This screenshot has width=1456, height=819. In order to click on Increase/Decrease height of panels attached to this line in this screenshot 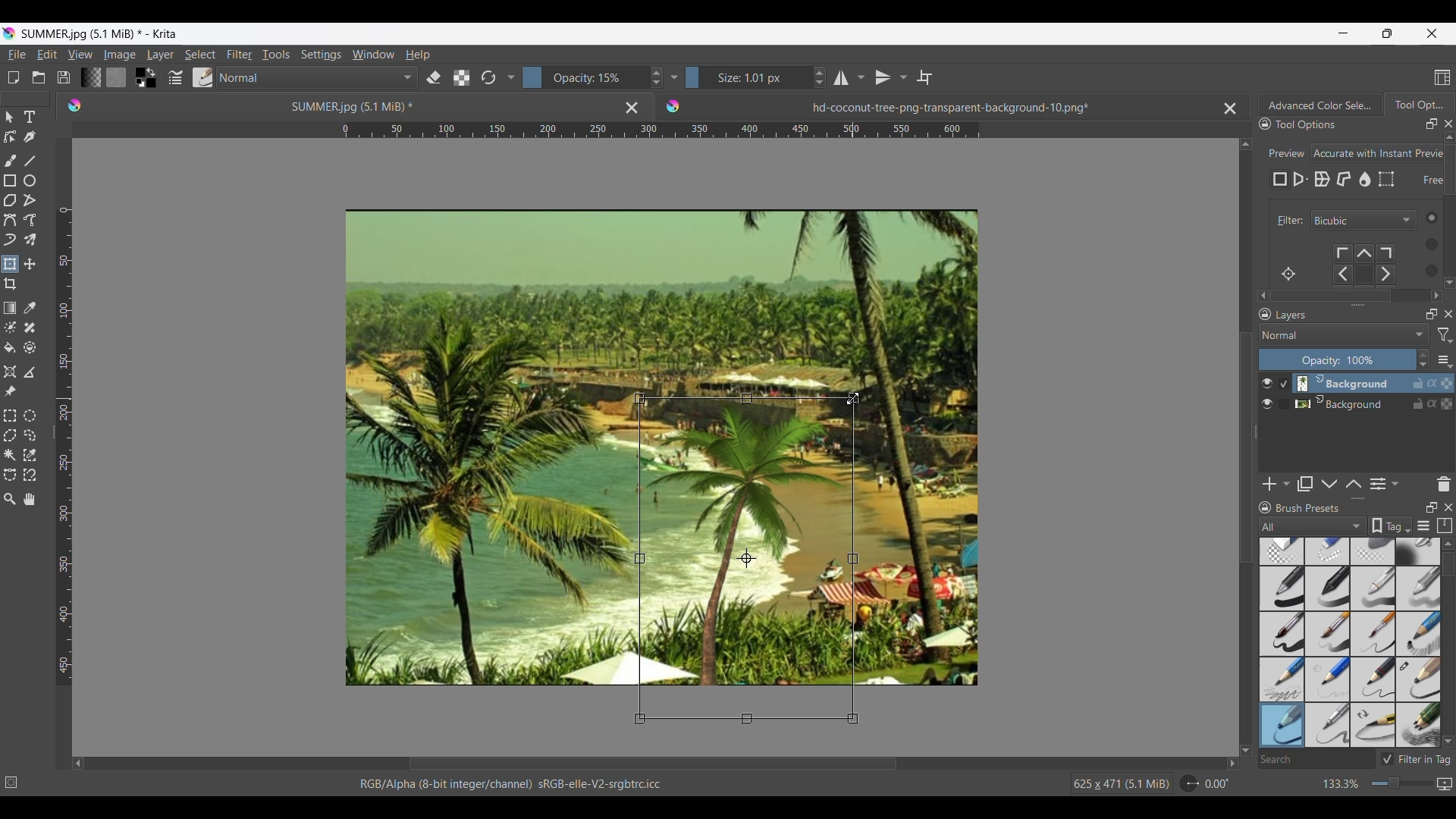, I will do `click(1360, 498)`.